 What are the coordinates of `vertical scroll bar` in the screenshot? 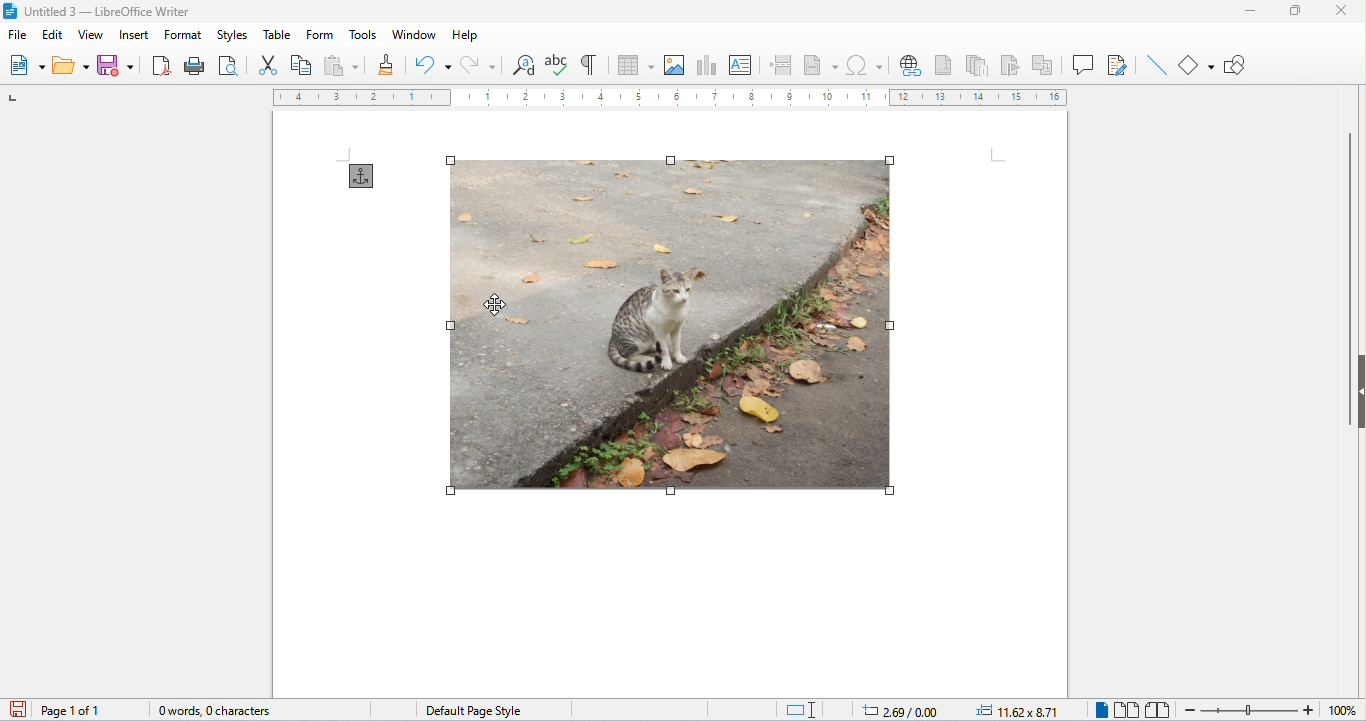 It's located at (1347, 276).